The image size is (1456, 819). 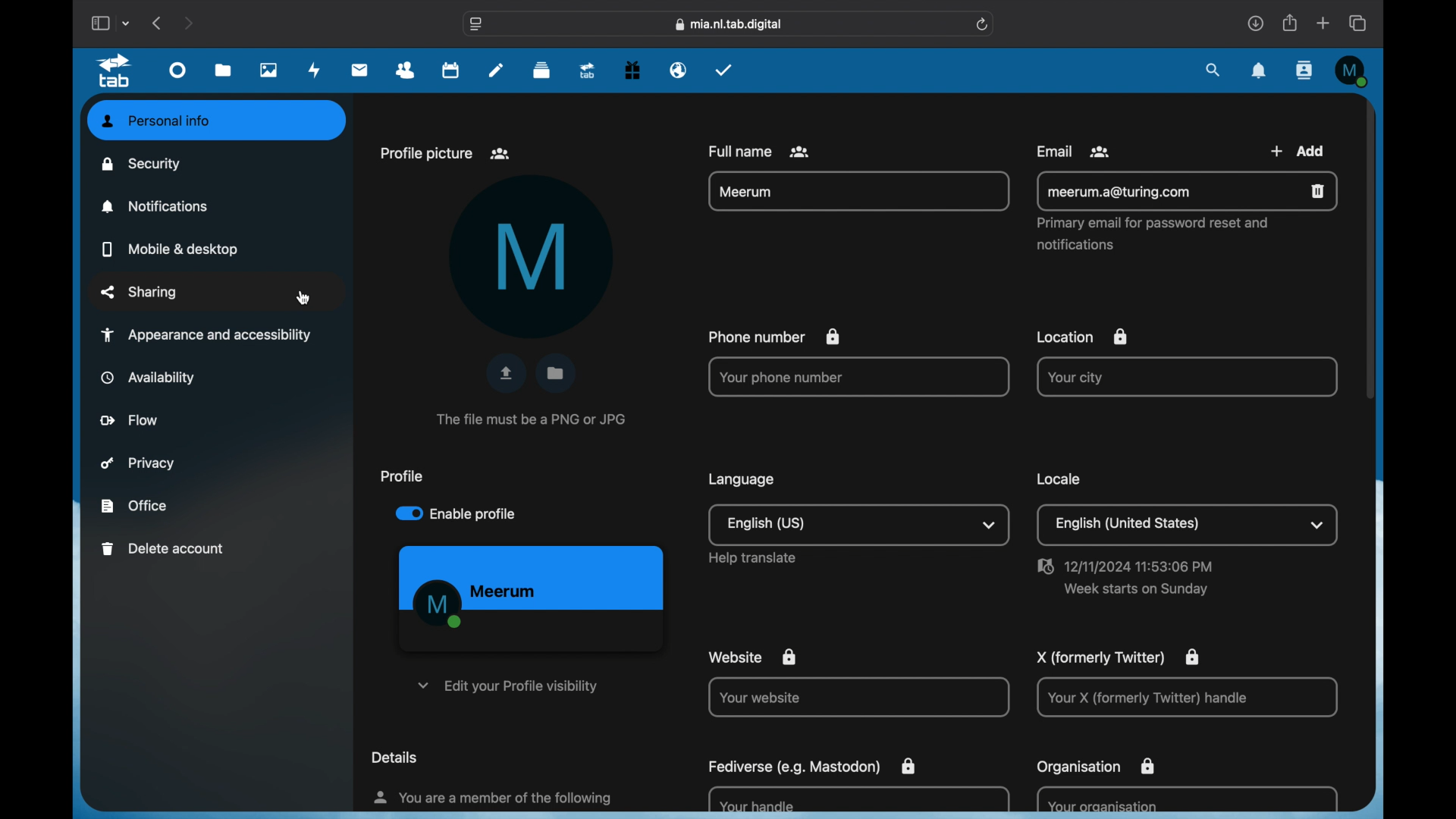 What do you see at coordinates (456, 513) in the screenshot?
I see `enable profile` at bounding box center [456, 513].